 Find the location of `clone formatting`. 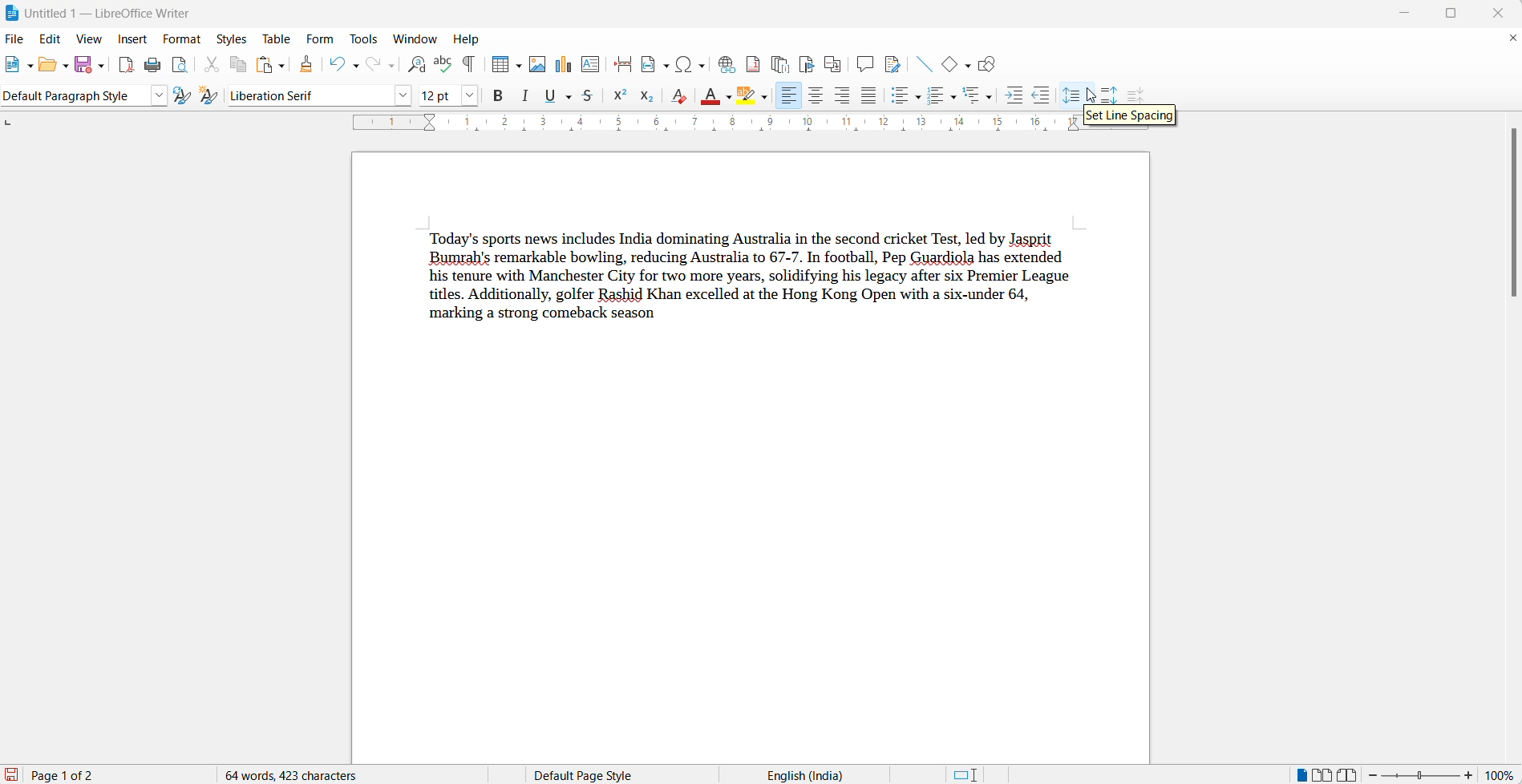

clone formatting is located at coordinates (310, 66).